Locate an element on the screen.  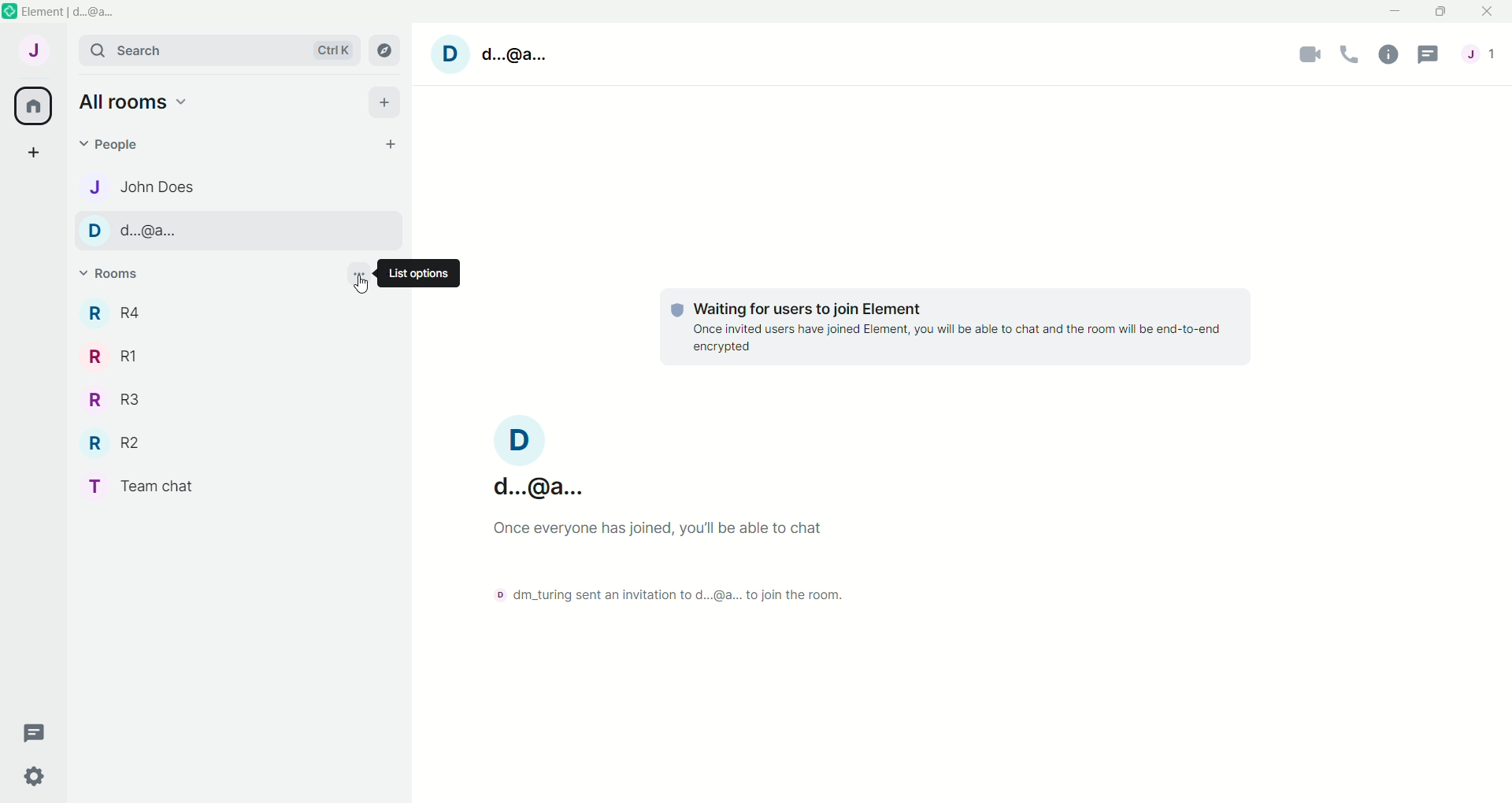
Threads is located at coordinates (28, 736).